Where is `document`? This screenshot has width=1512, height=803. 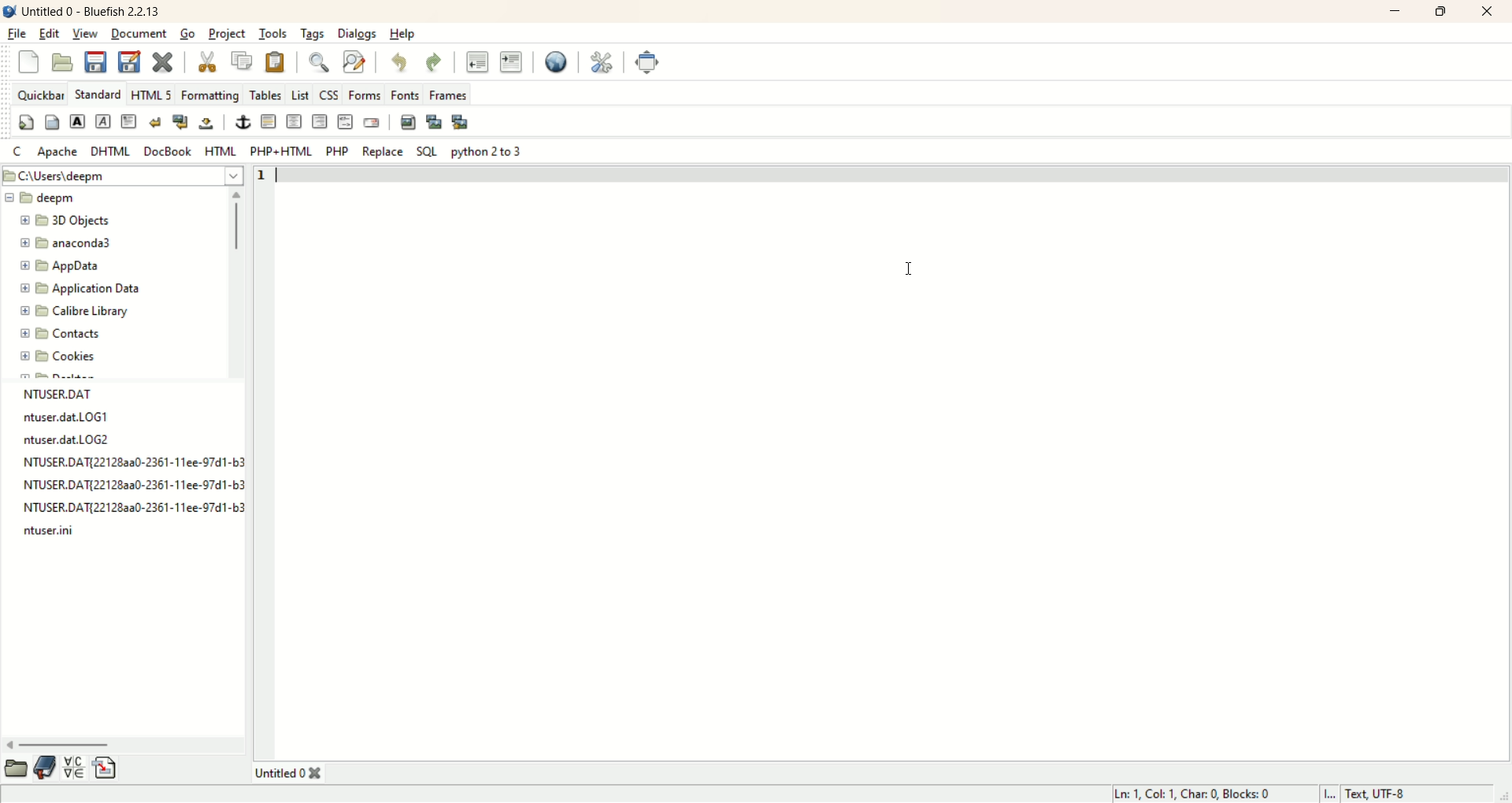 document is located at coordinates (139, 32).